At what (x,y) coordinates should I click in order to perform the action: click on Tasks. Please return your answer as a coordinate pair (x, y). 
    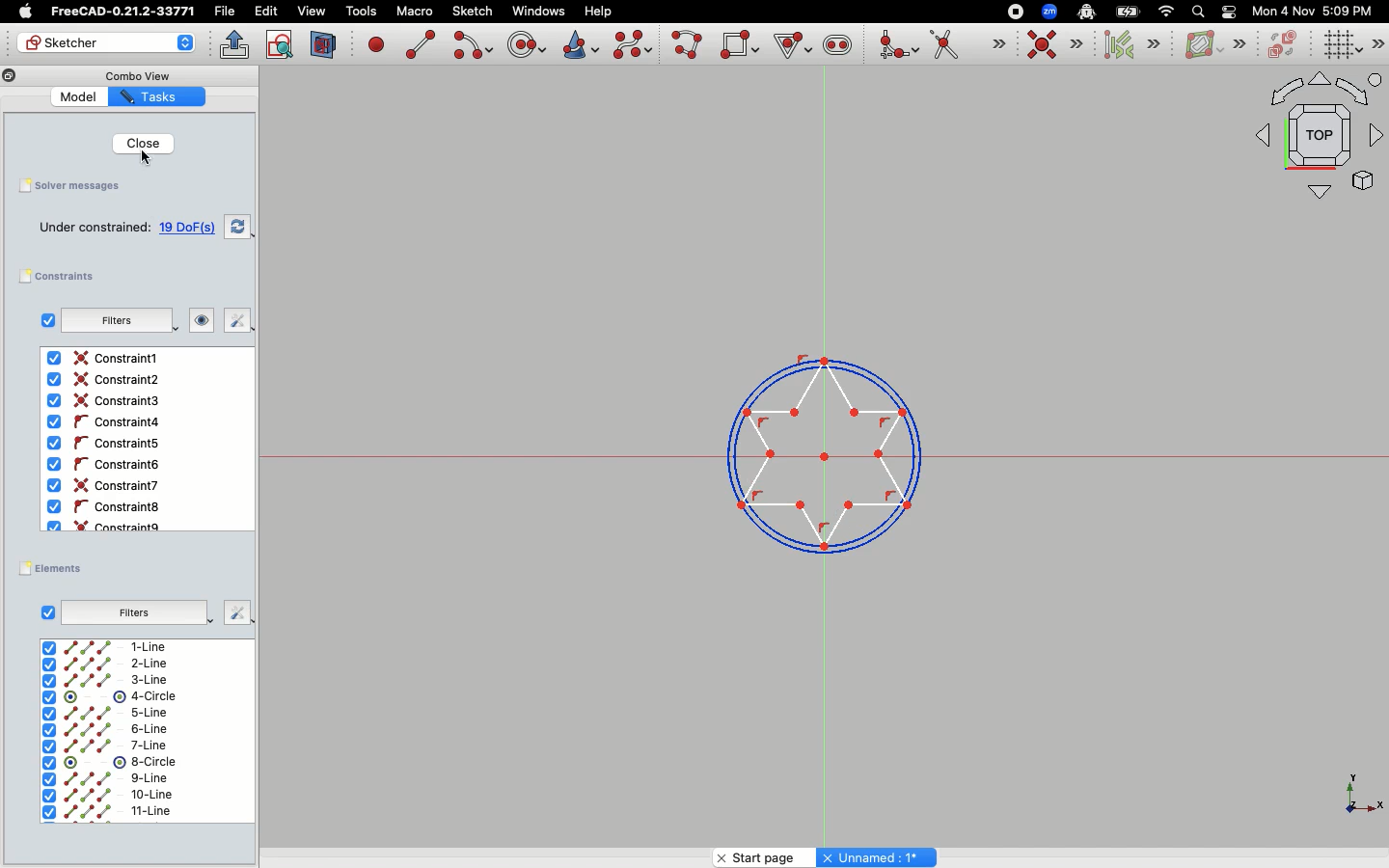
    Looking at the image, I should click on (157, 97).